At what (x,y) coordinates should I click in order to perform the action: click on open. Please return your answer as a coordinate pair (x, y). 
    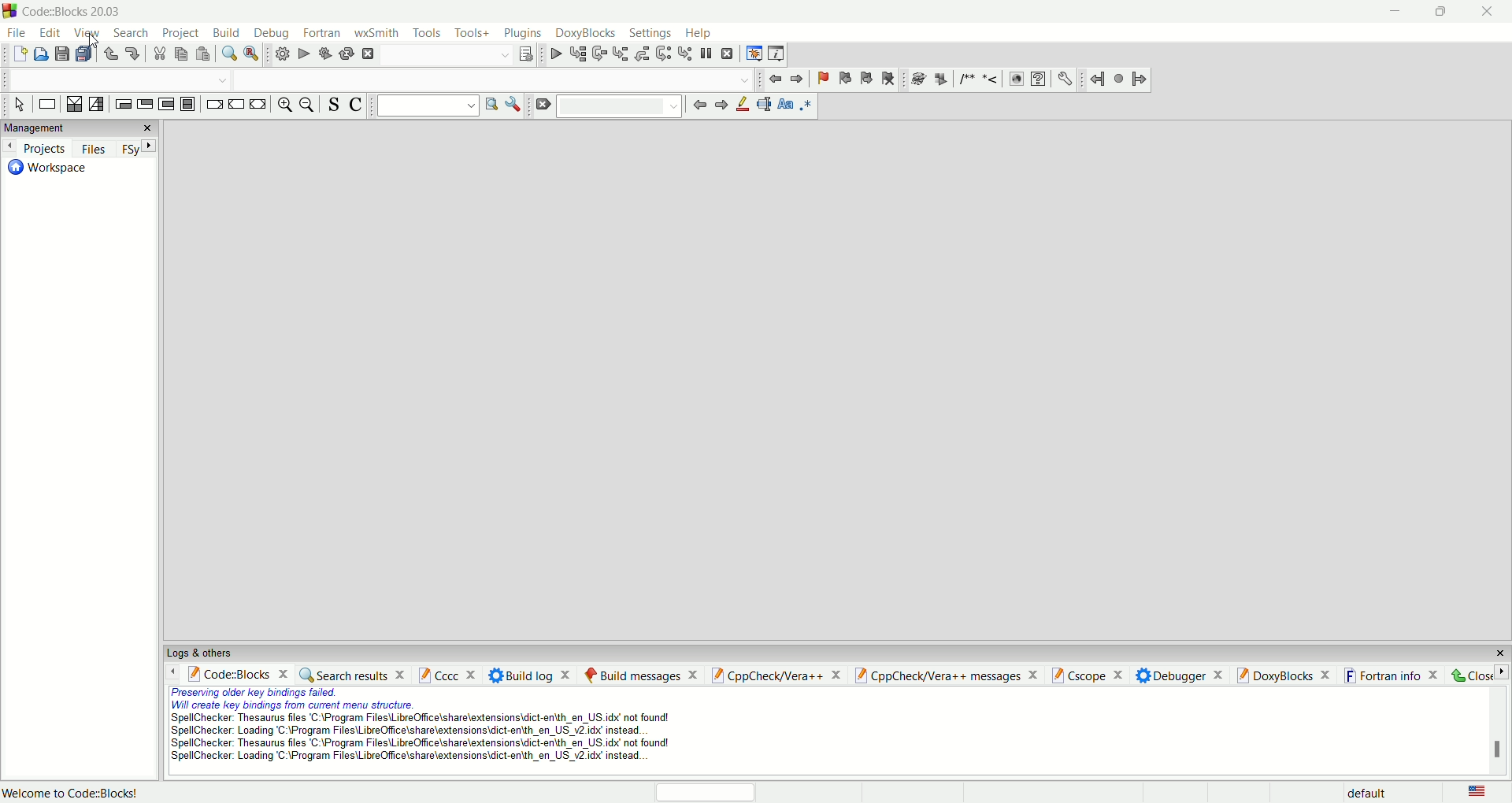
    Looking at the image, I should click on (41, 54).